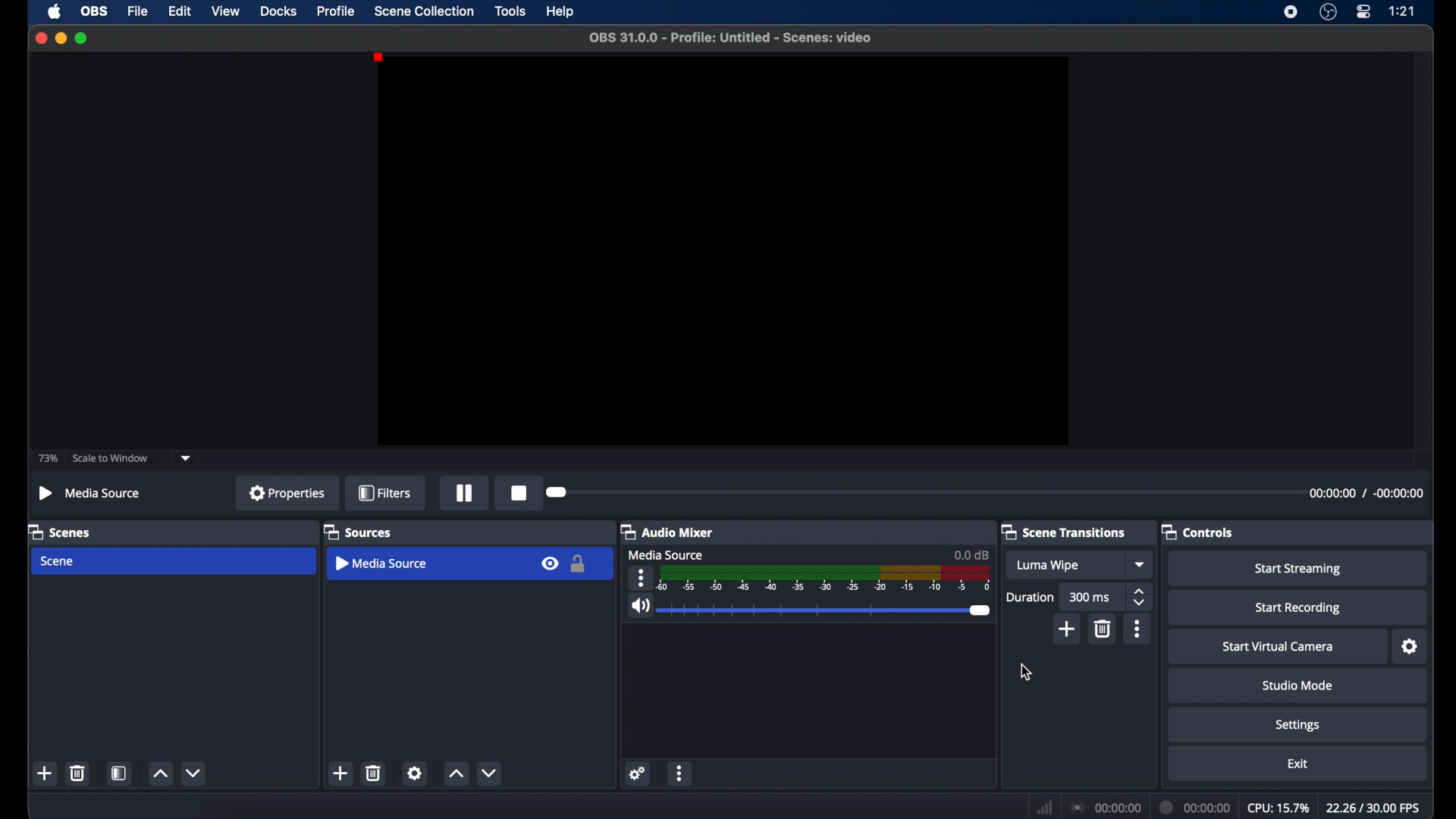 The image size is (1456, 819). What do you see at coordinates (1369, 493) in the screenshot?
I see `timestamp` at bounding box center [1369, 493].